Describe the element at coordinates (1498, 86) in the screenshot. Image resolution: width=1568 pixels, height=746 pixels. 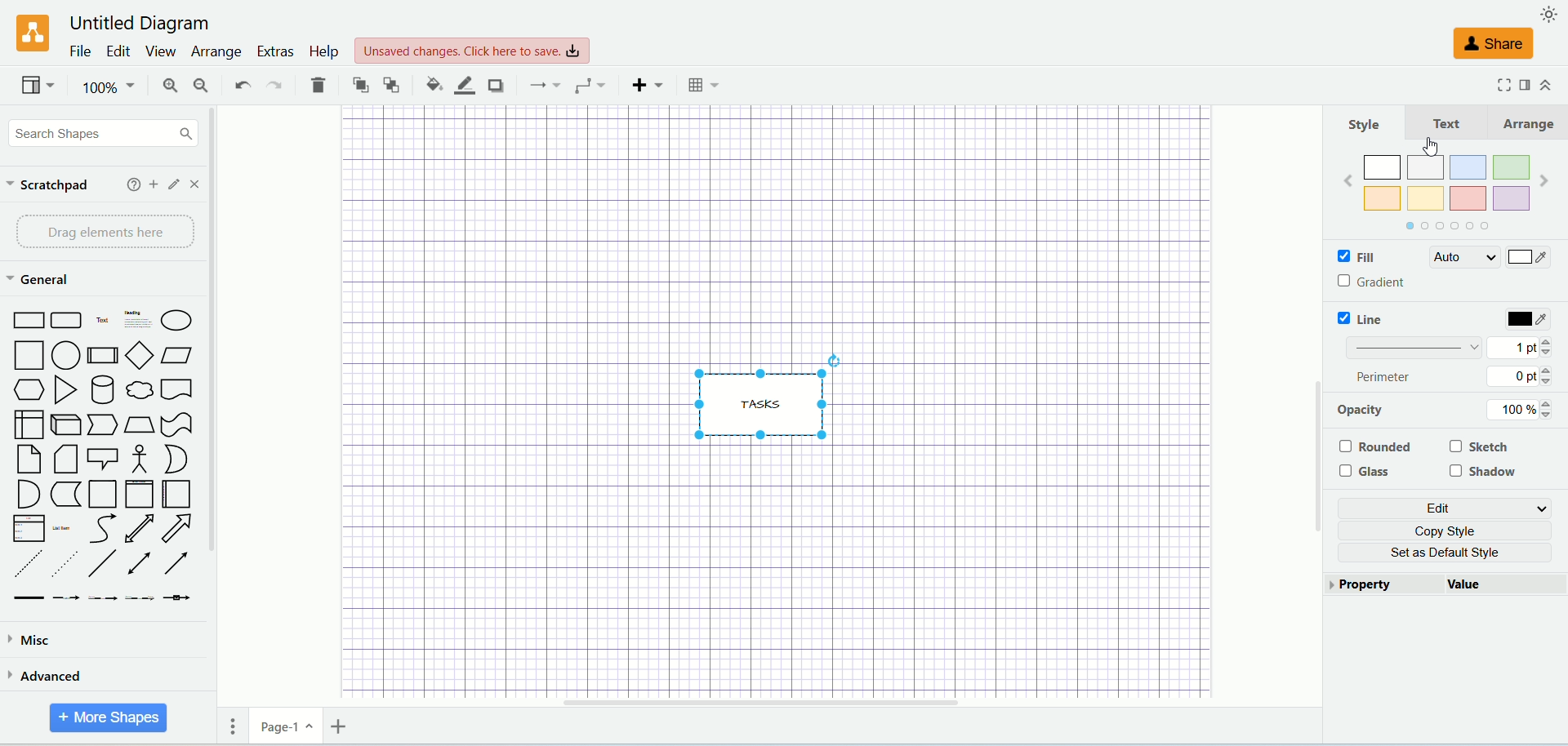
I see `full screen` at that location.